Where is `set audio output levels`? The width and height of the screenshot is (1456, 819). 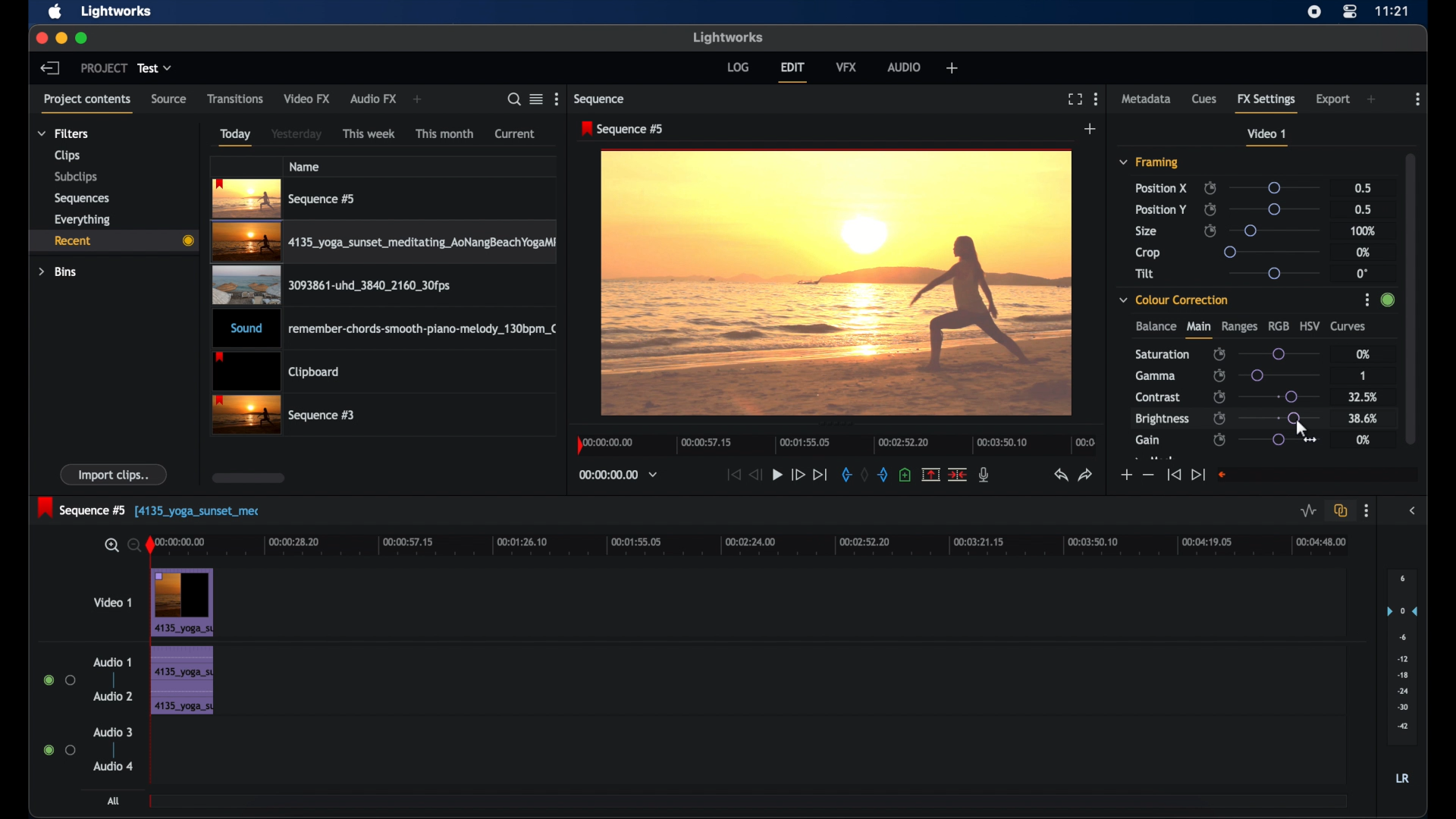
set audio output levels is located at coordinates (1402, 655).